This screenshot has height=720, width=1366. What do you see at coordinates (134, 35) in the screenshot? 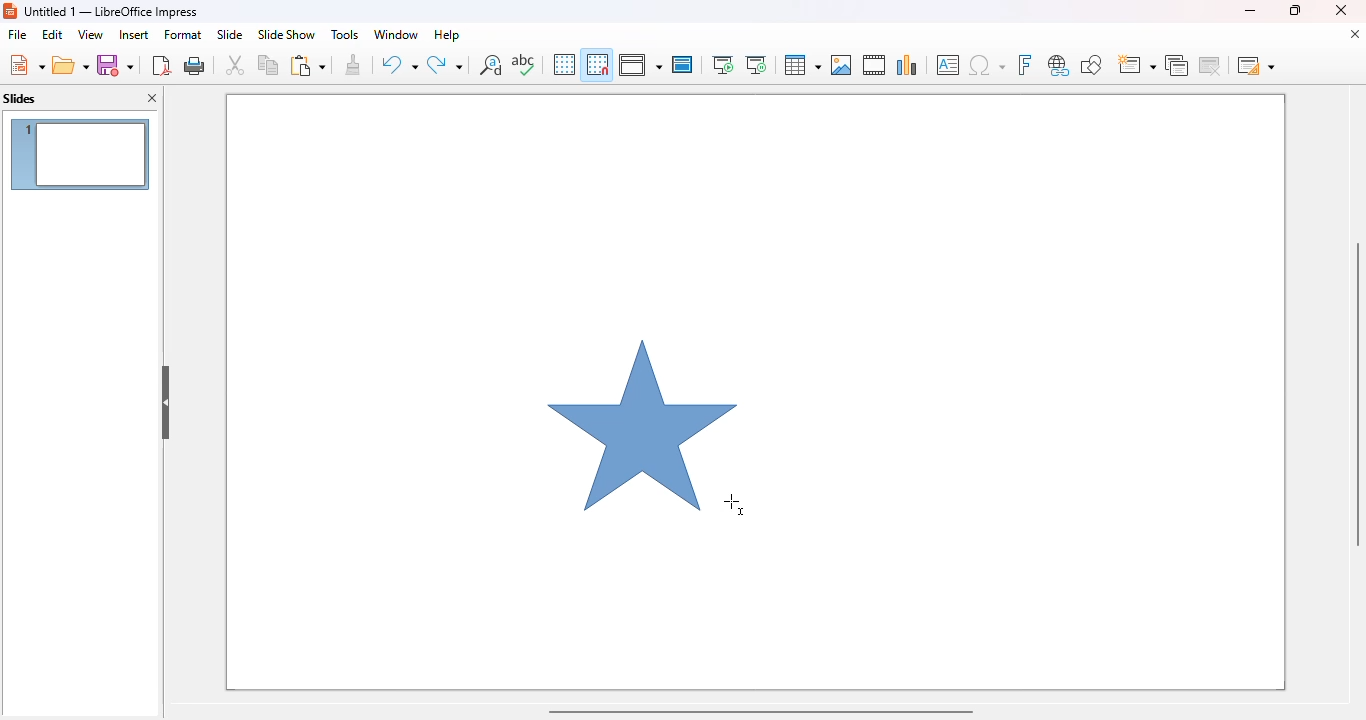
I see `insert` at bounding box center [134, 35].